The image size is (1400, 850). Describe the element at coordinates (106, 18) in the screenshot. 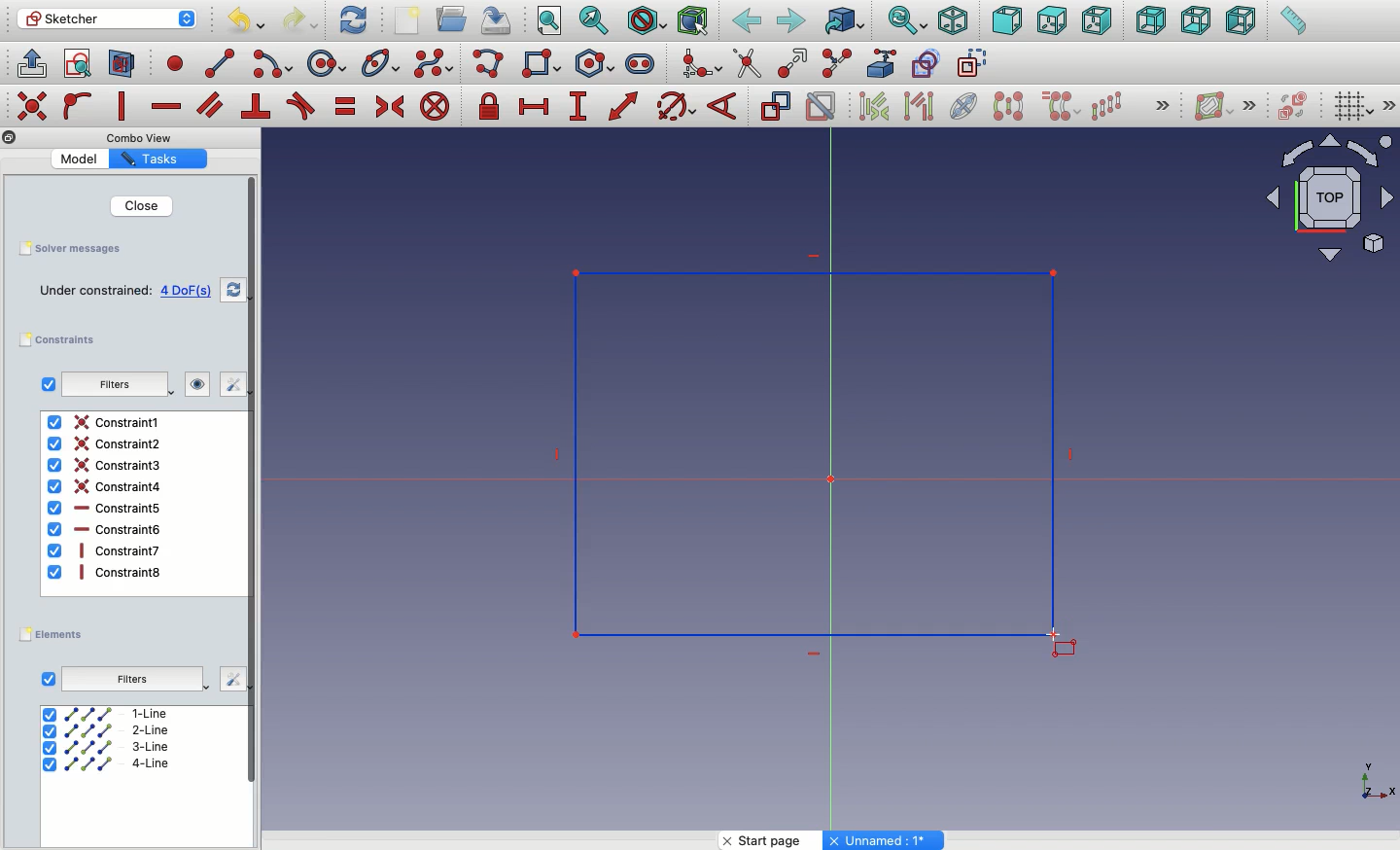

I see `Sketcher - Workbench` at that location.